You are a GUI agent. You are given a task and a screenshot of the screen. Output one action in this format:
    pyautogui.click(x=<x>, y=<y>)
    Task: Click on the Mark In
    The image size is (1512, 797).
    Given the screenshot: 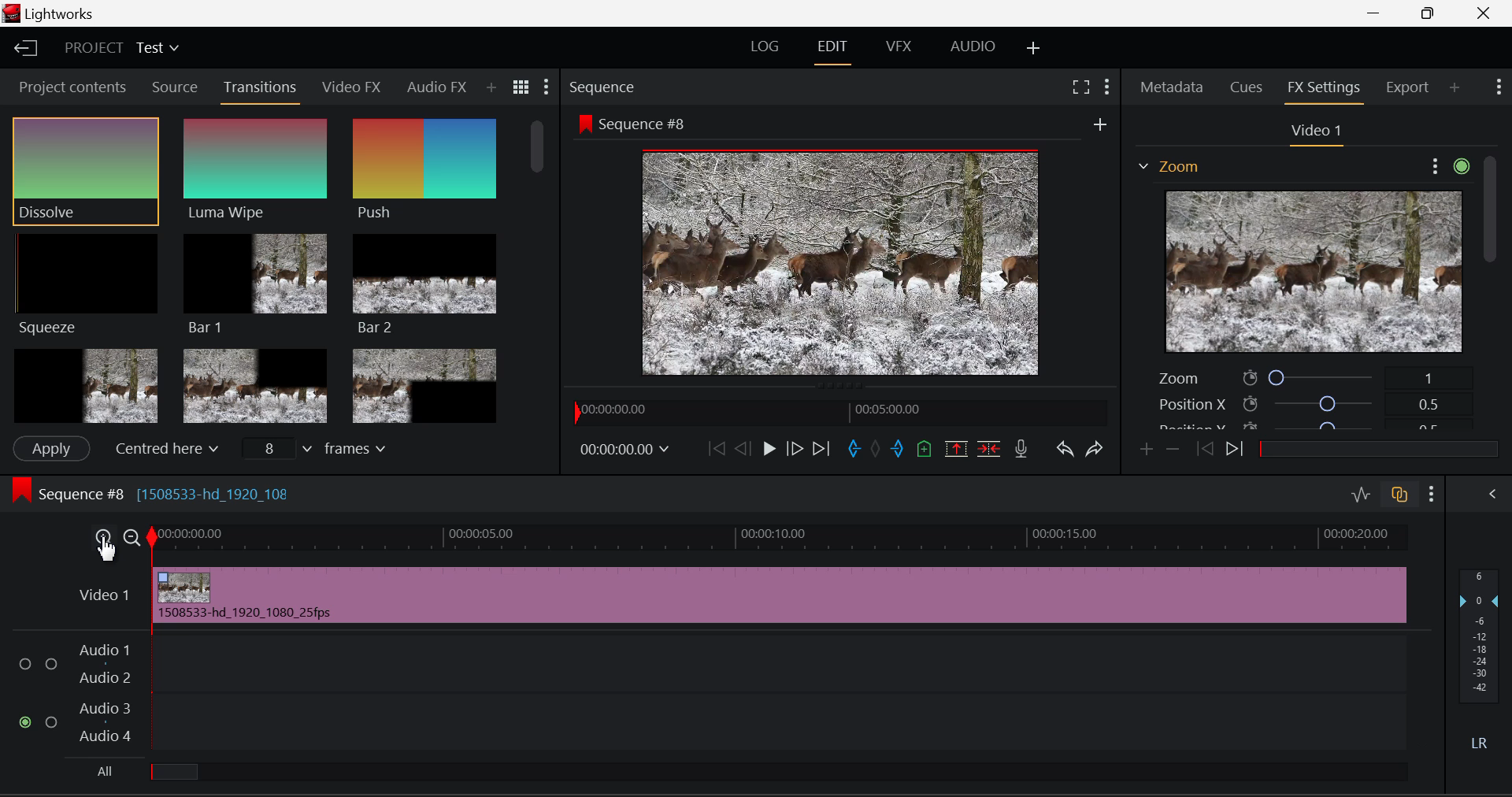 What is the action you would take?
    pyautogui.click(x=852, y=453)
    